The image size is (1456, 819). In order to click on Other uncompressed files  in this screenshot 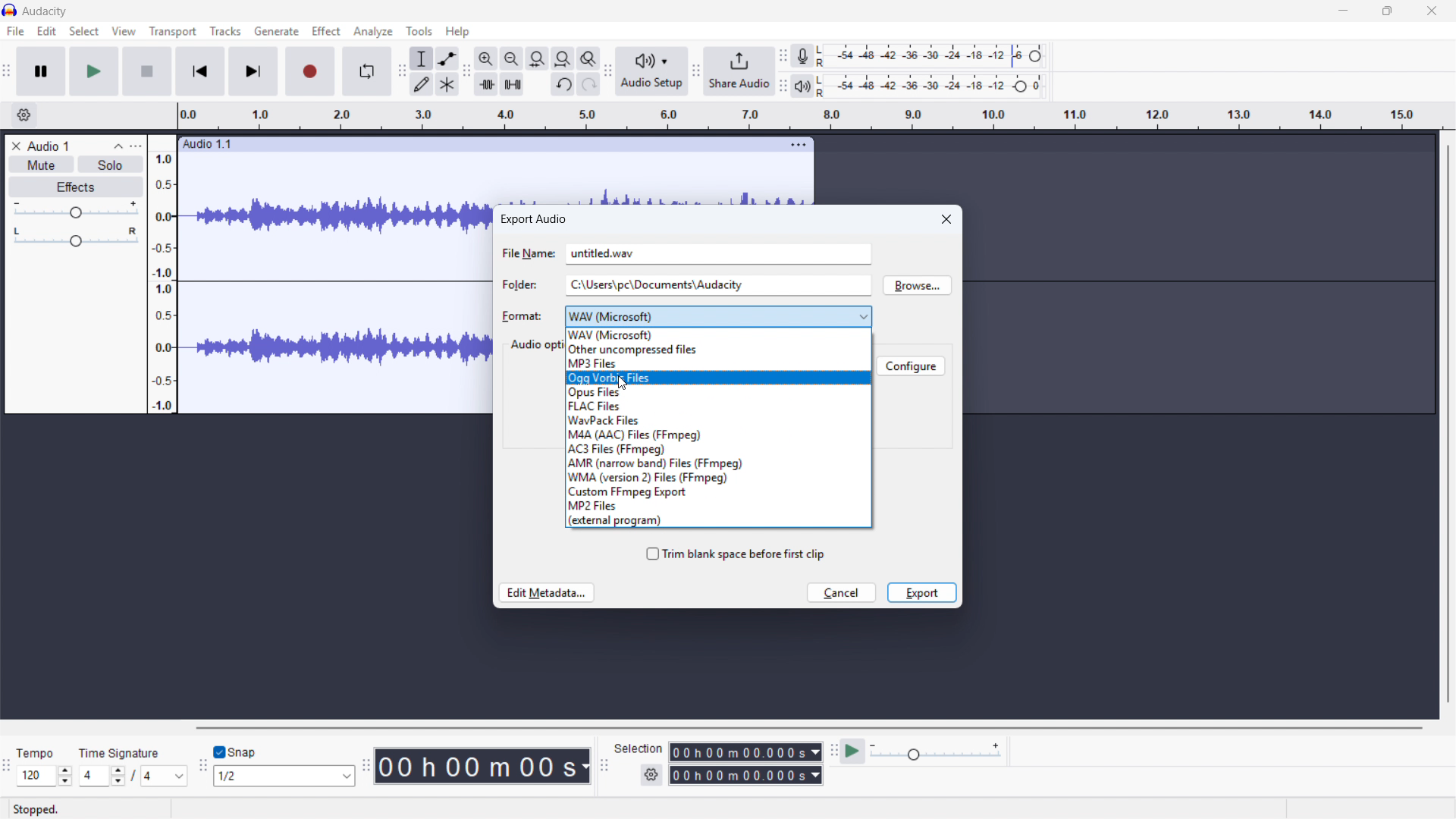, I will do `click(719, 348)`.